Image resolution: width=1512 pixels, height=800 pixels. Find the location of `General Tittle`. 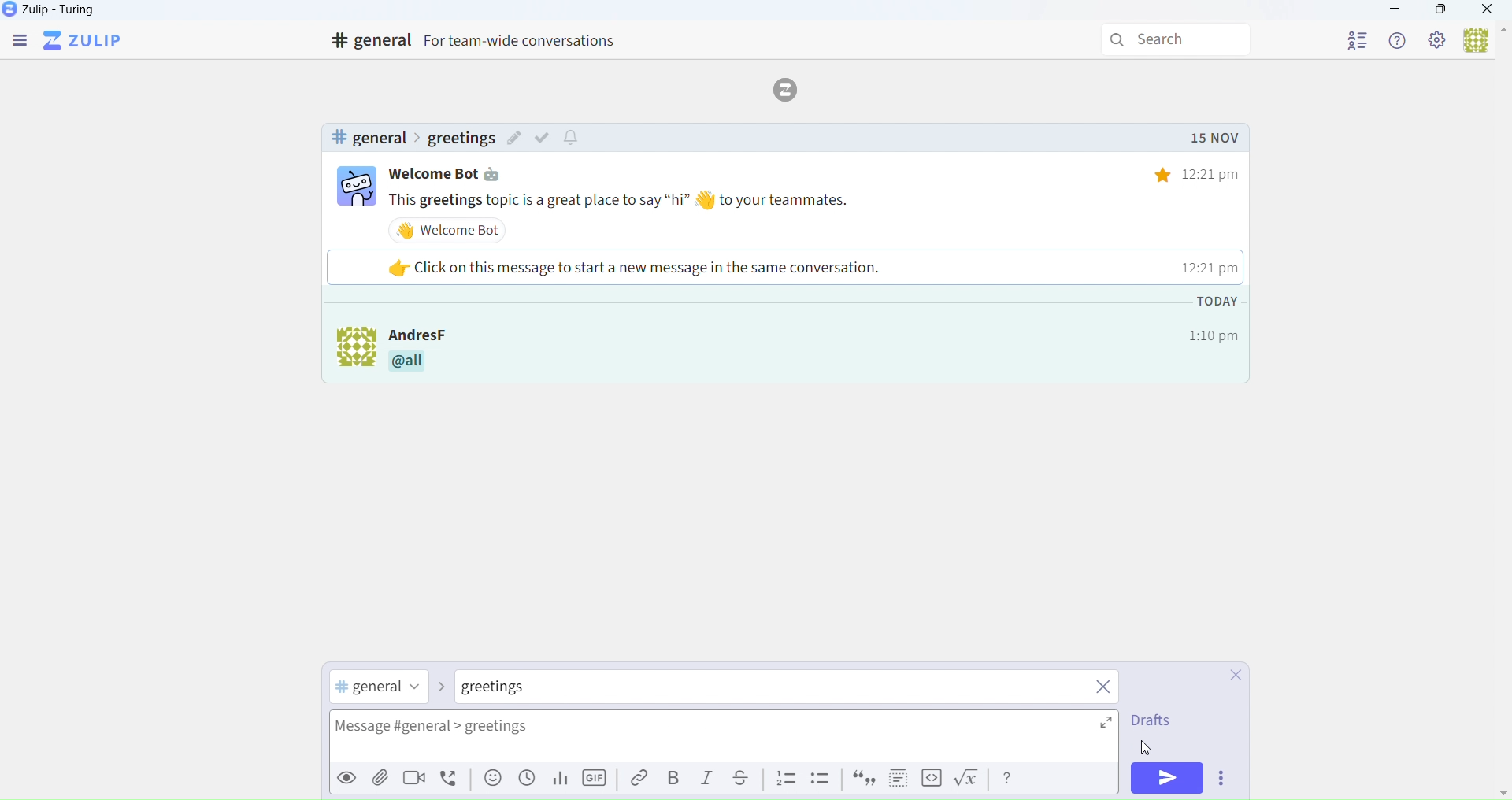

General Tittle is located at coordinates (480, 41).